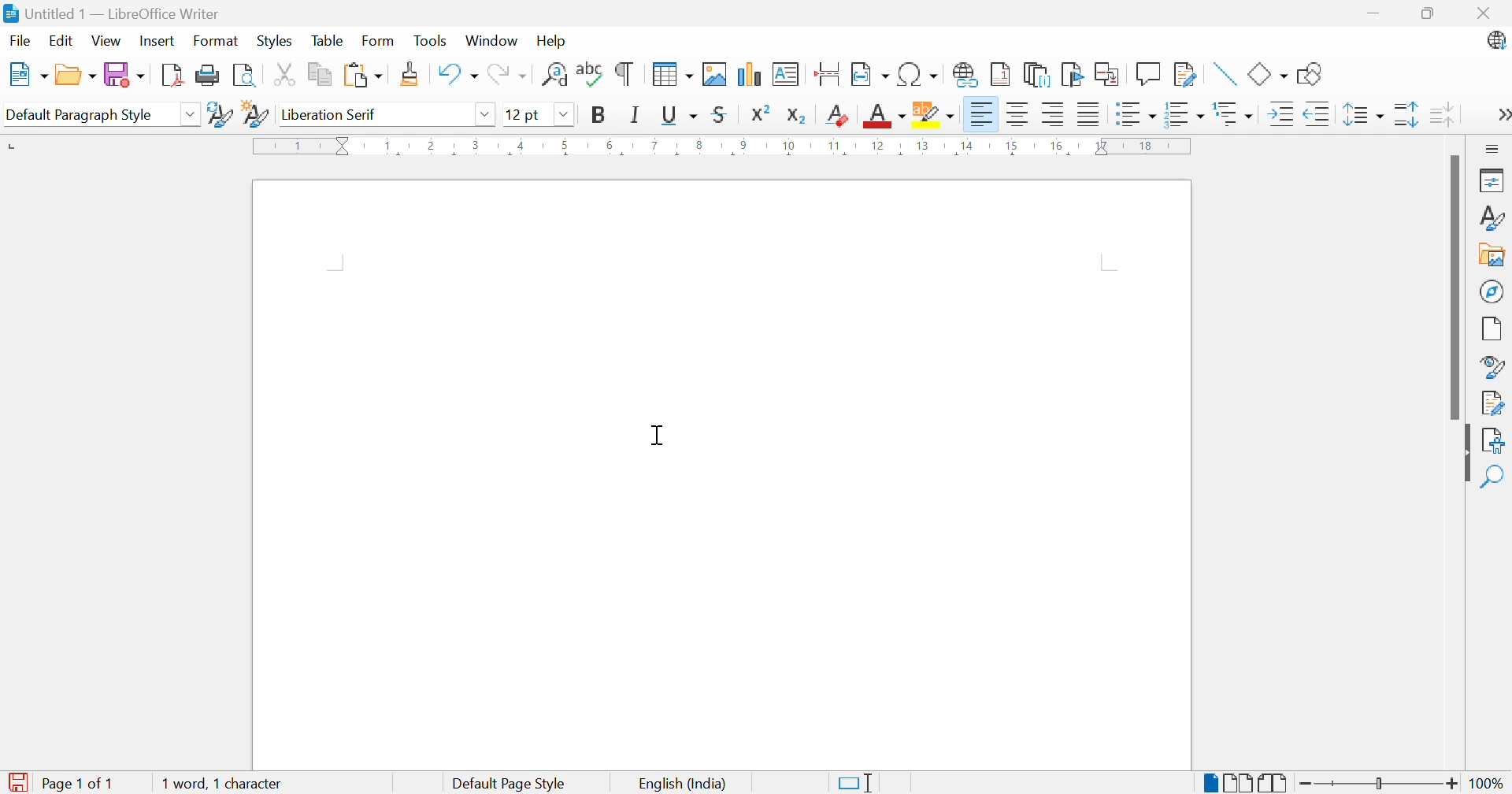 The image size is (1512, 794). What do you see at coordinates (378, 40) in the screenshot?
I see `Form` at bounding box center [378, 40].